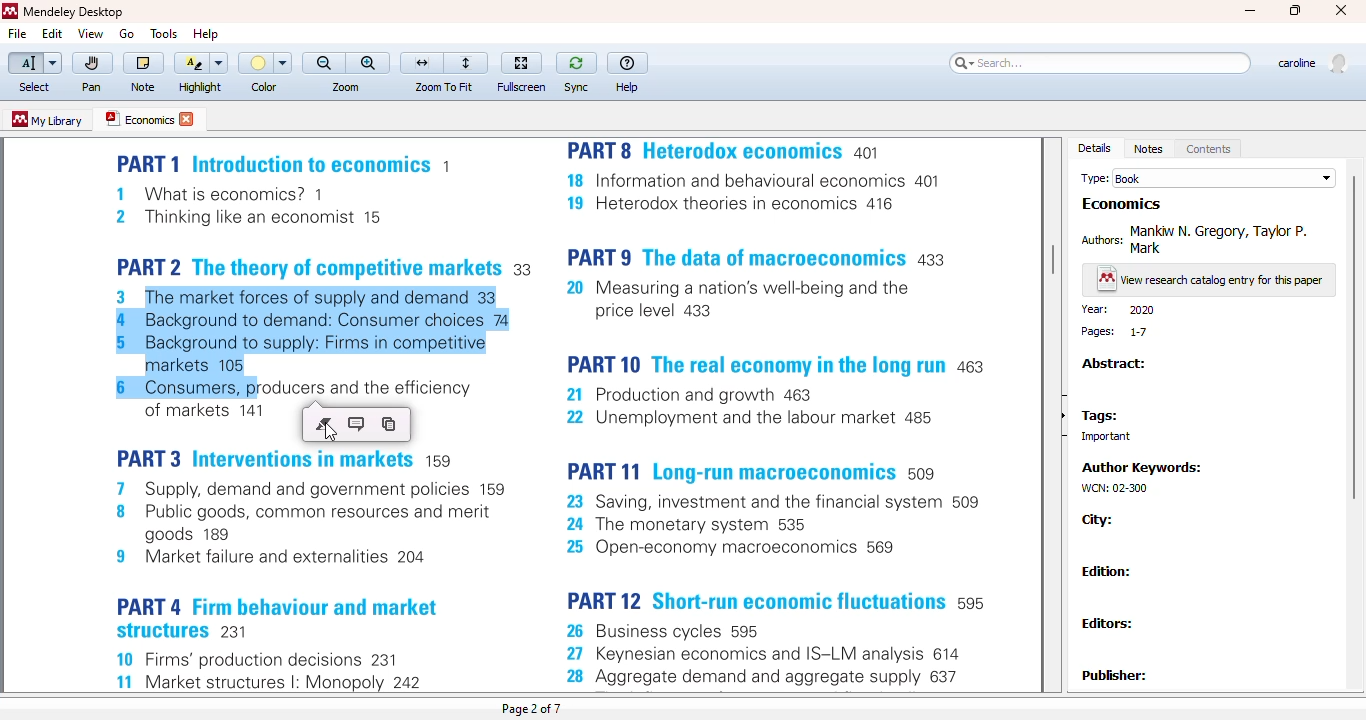  Describe the element at coordinates (324, 424) in the screenshot. I see `highlight this text` at that location.